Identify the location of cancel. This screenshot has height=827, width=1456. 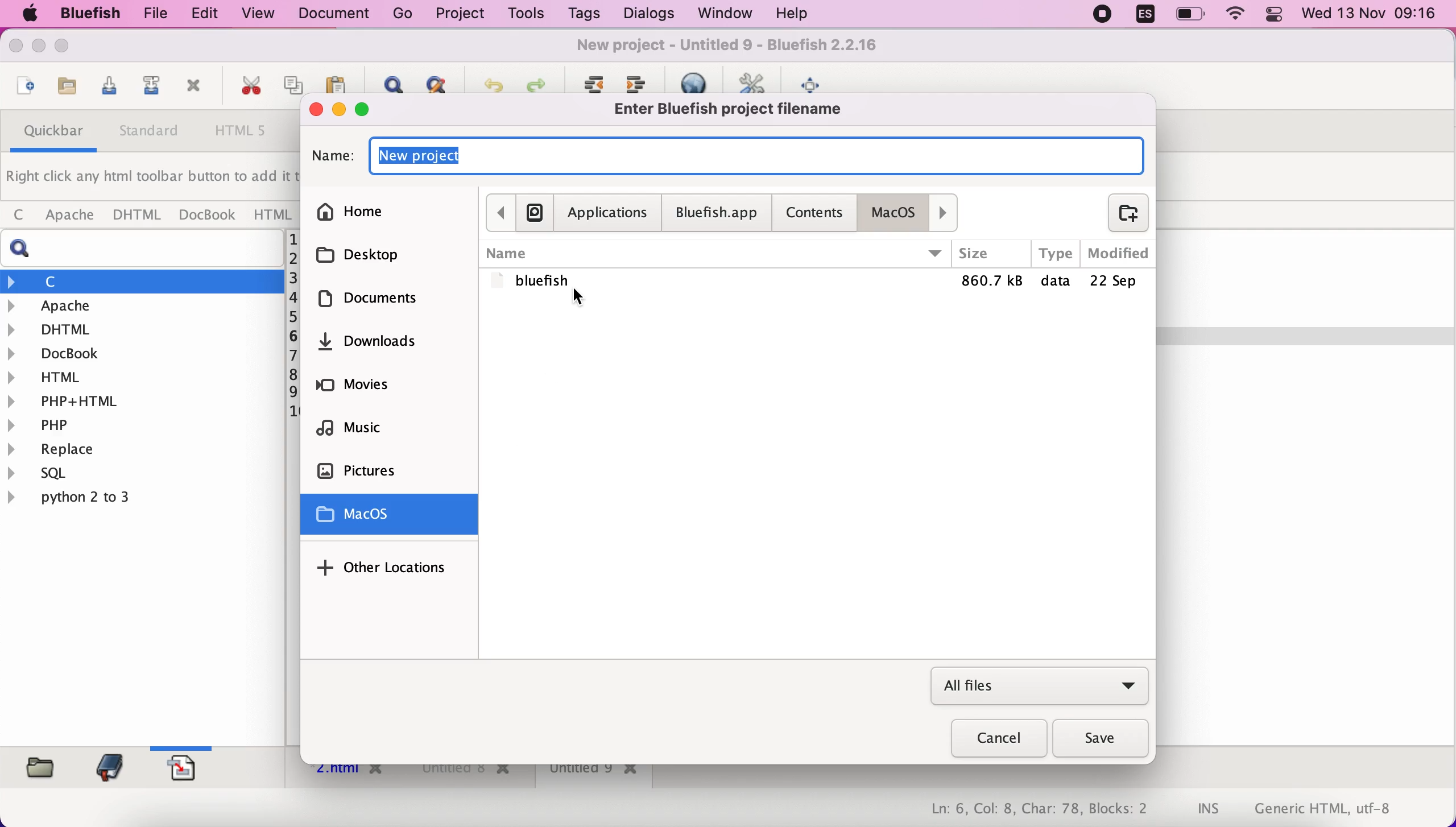
(992, 741).